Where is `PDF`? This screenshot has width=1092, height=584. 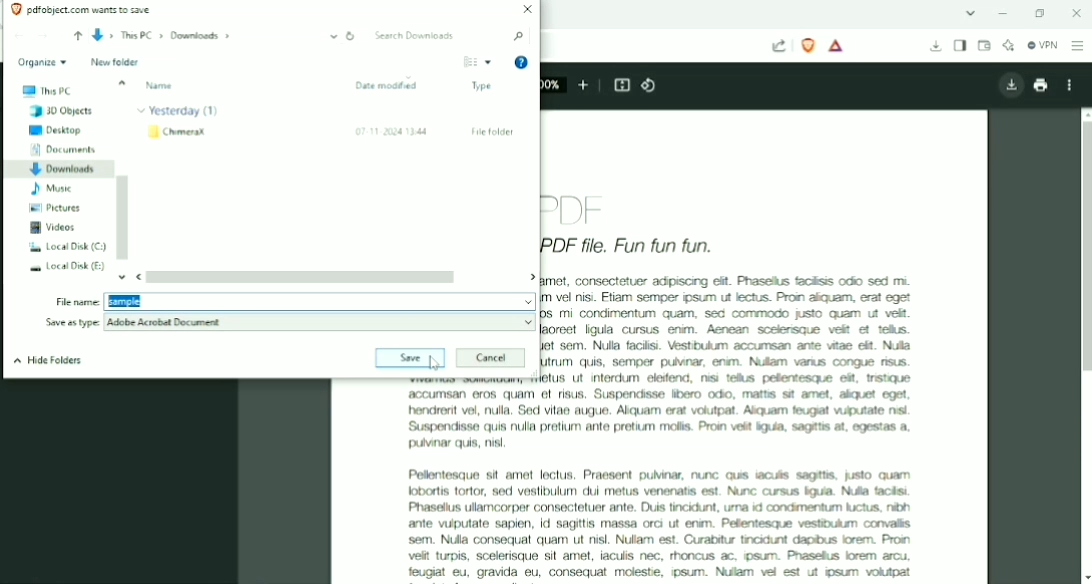 PDF is located at coordinates (578, 209).